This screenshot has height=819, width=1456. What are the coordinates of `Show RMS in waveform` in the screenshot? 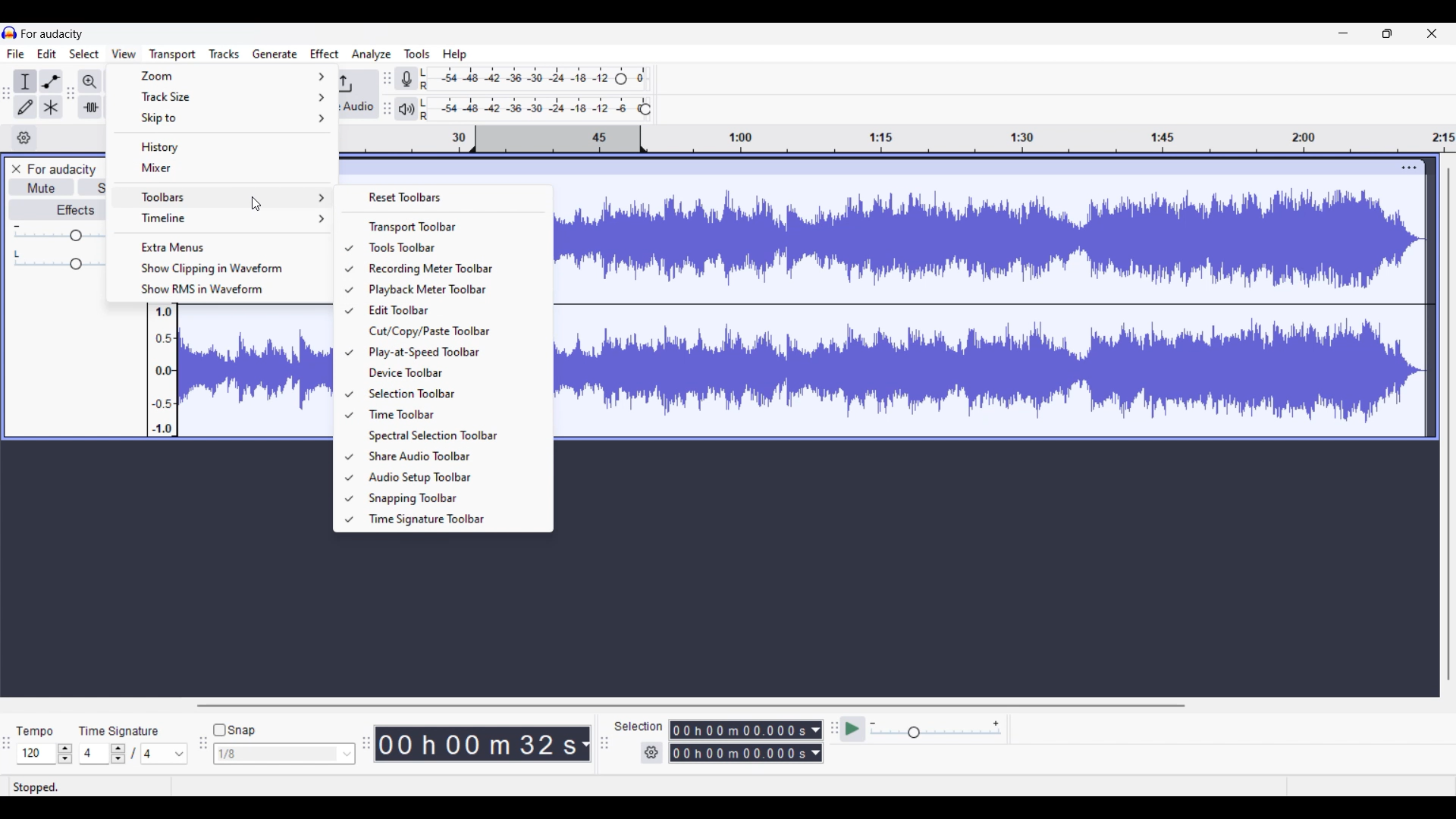 It's located at (219, 290).